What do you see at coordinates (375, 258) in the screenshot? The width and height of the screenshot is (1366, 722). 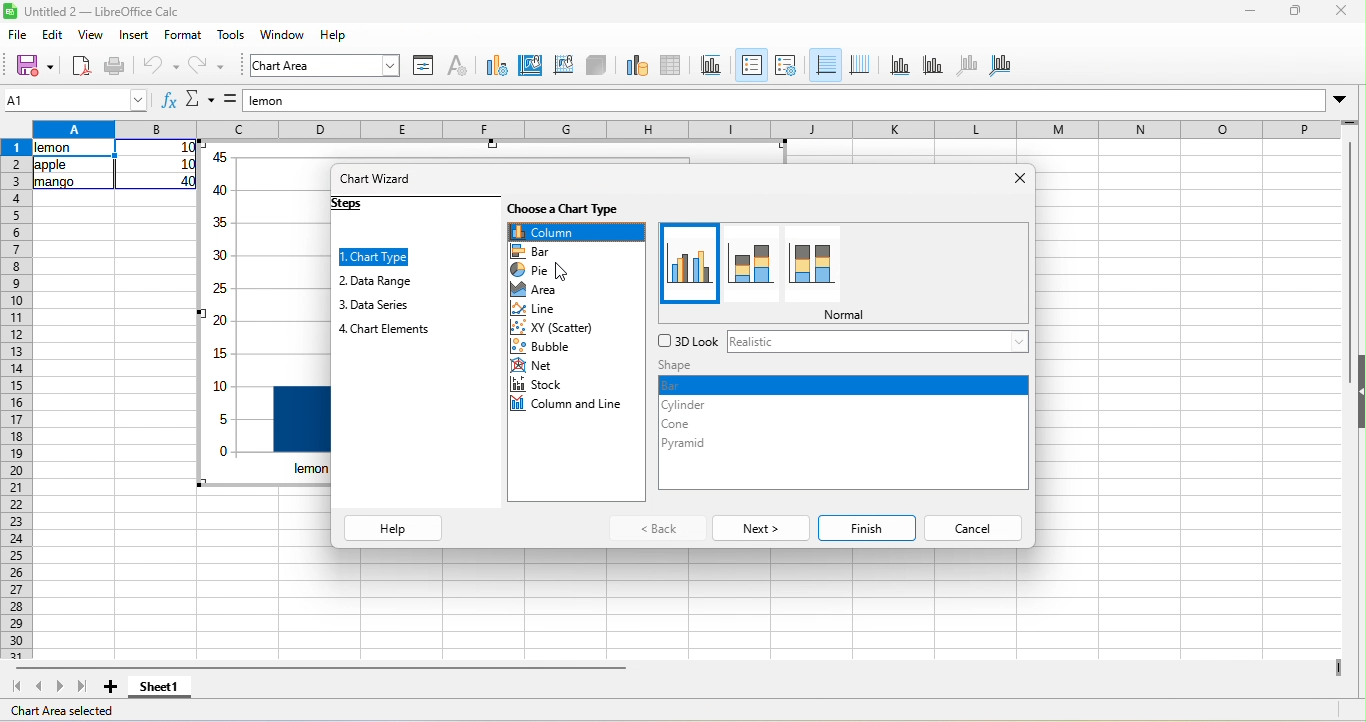 I see `chart type` at bounding box center [375, 258].